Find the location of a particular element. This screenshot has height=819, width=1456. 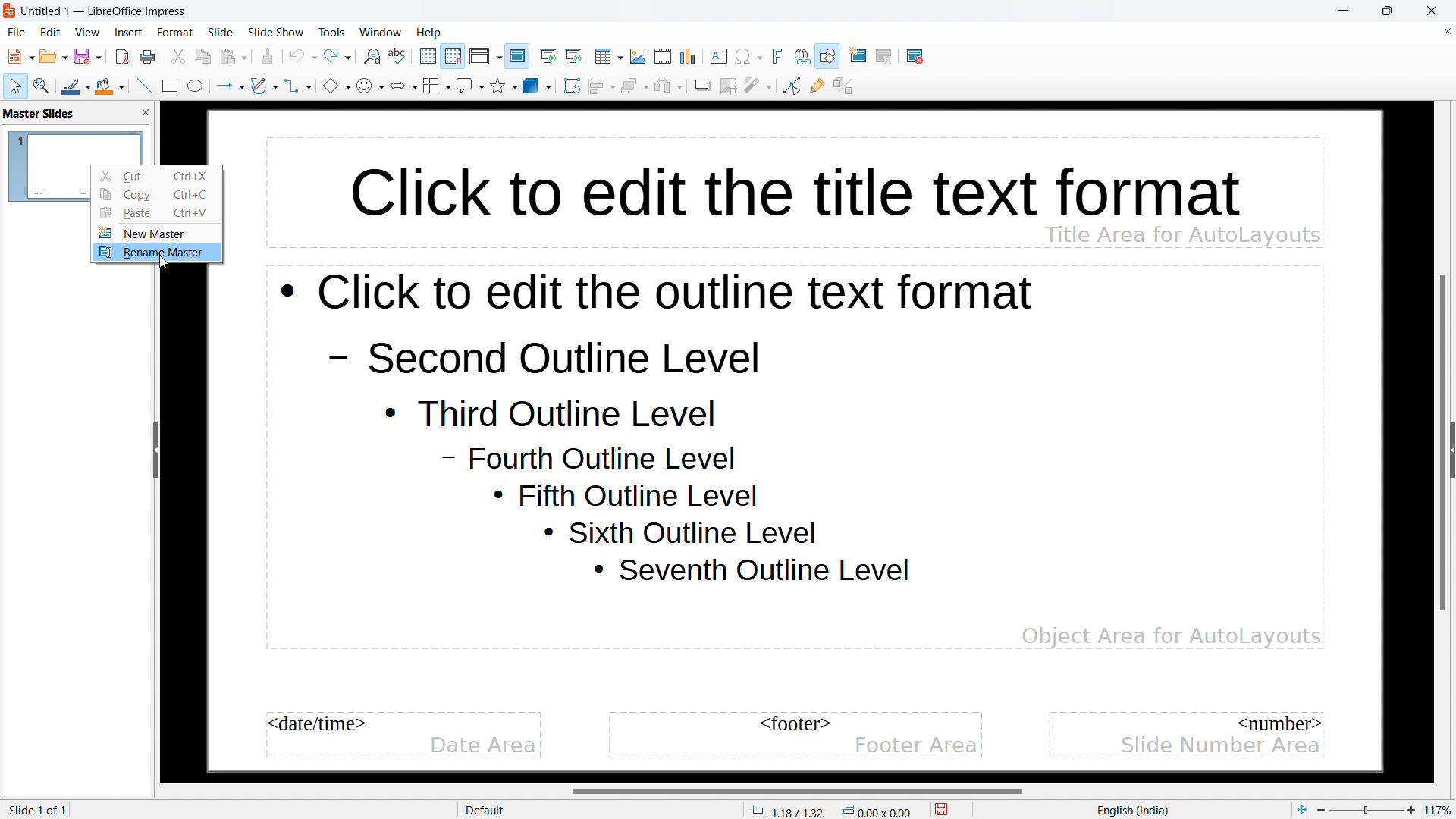

insert is located at coordinates (129, 32).